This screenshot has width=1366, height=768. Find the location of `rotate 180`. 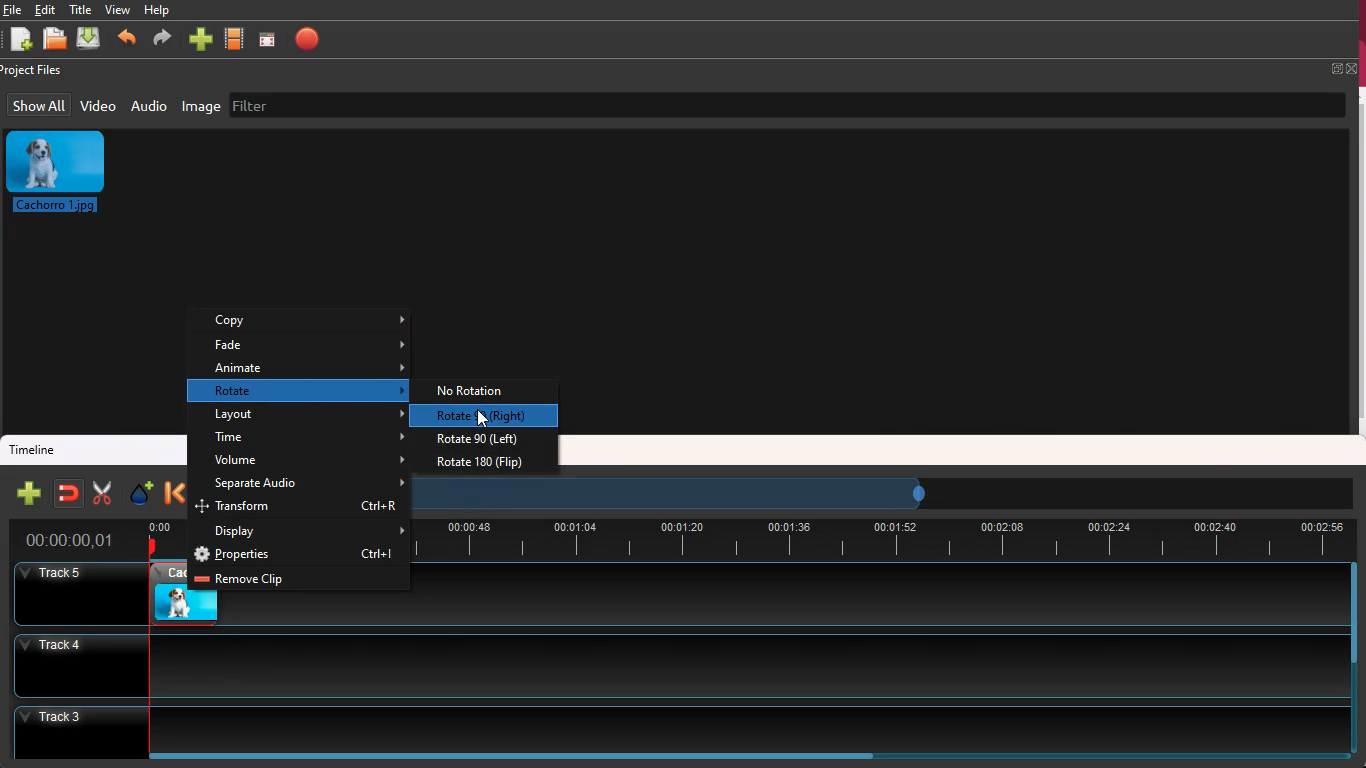

rotate 180 is located at coordinates (483, 465).